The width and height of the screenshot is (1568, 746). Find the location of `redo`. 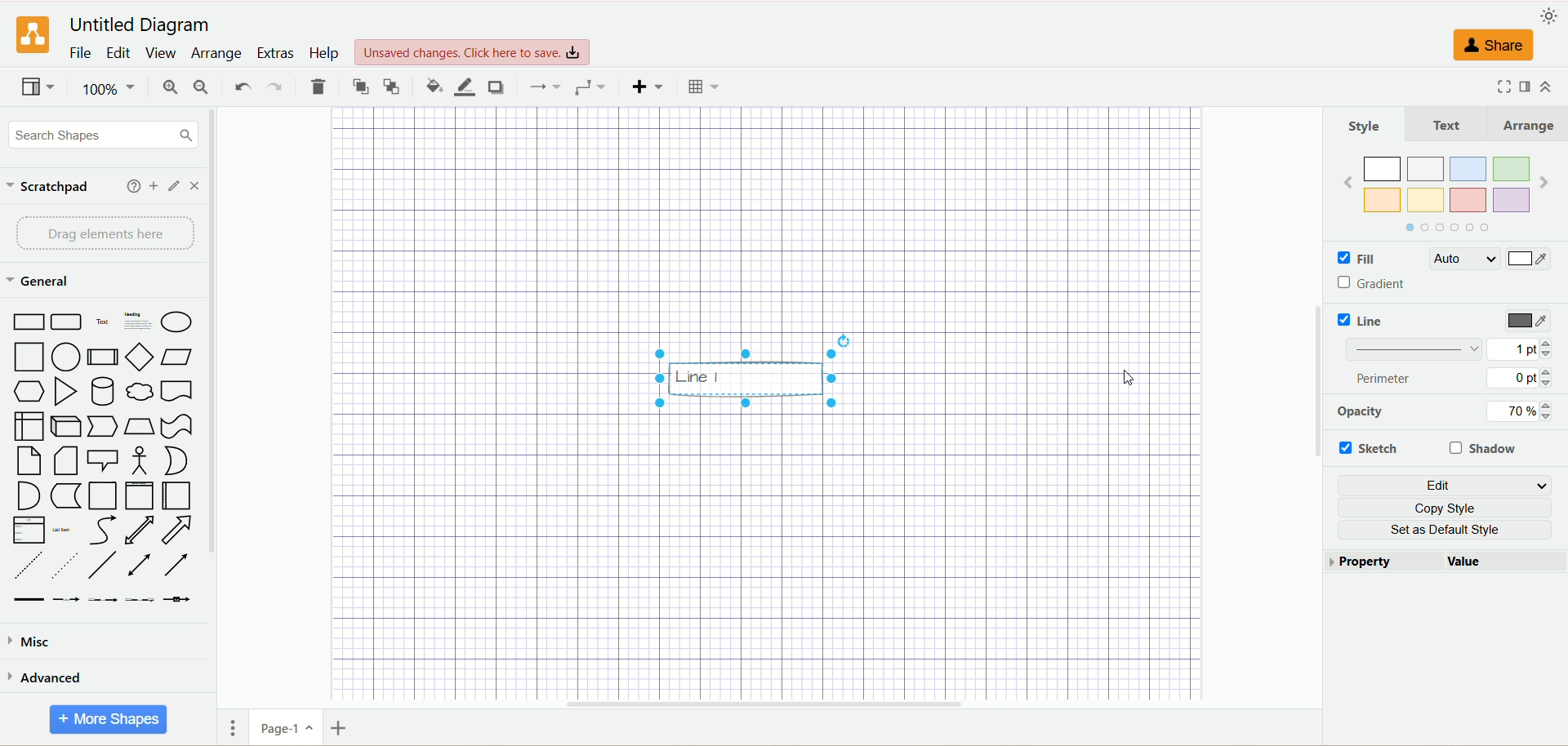

redo is located at coordinates (274, 85).